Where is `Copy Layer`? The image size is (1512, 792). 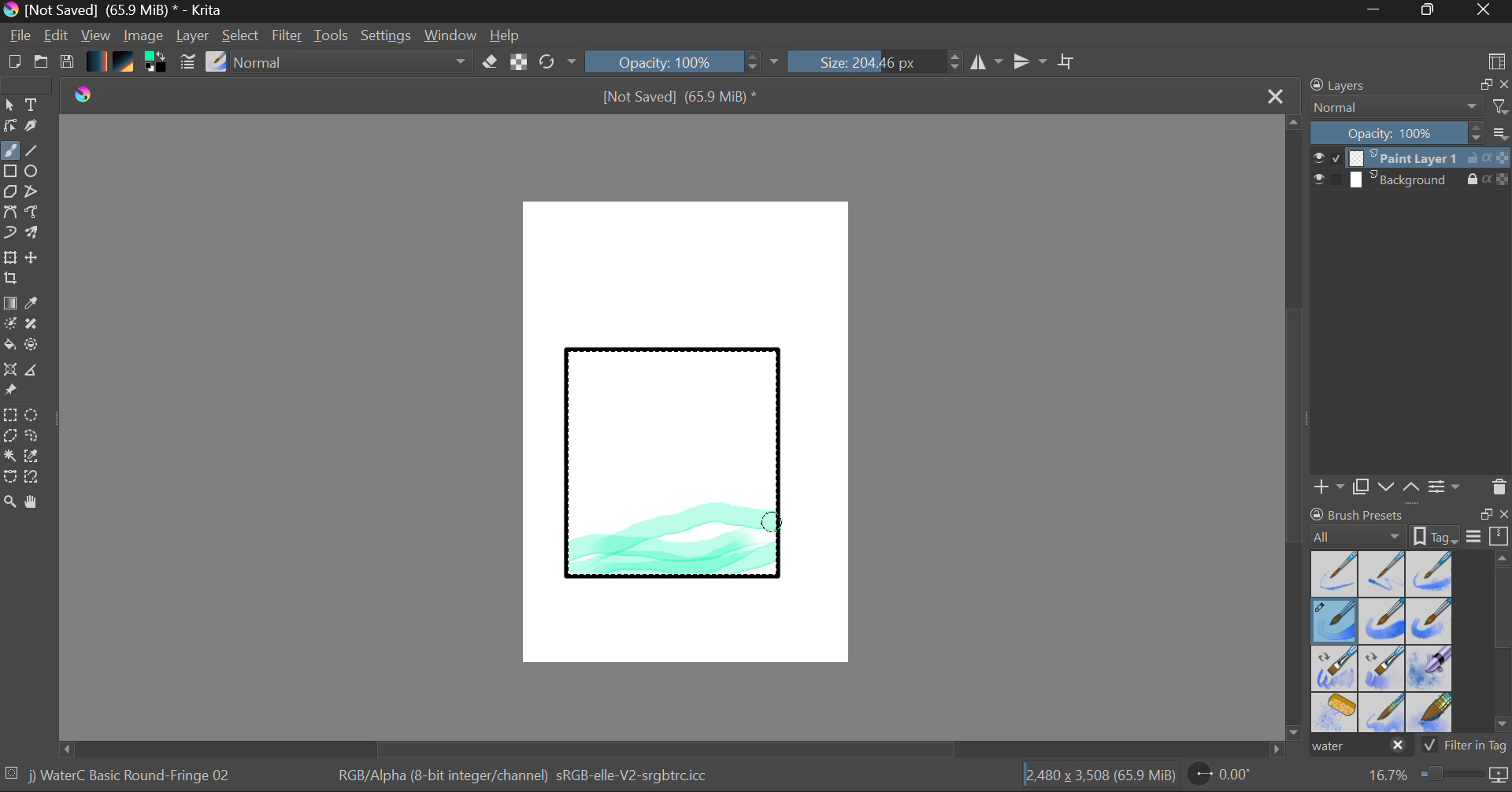
Copy Layer is located at coordinates (1362, 487).